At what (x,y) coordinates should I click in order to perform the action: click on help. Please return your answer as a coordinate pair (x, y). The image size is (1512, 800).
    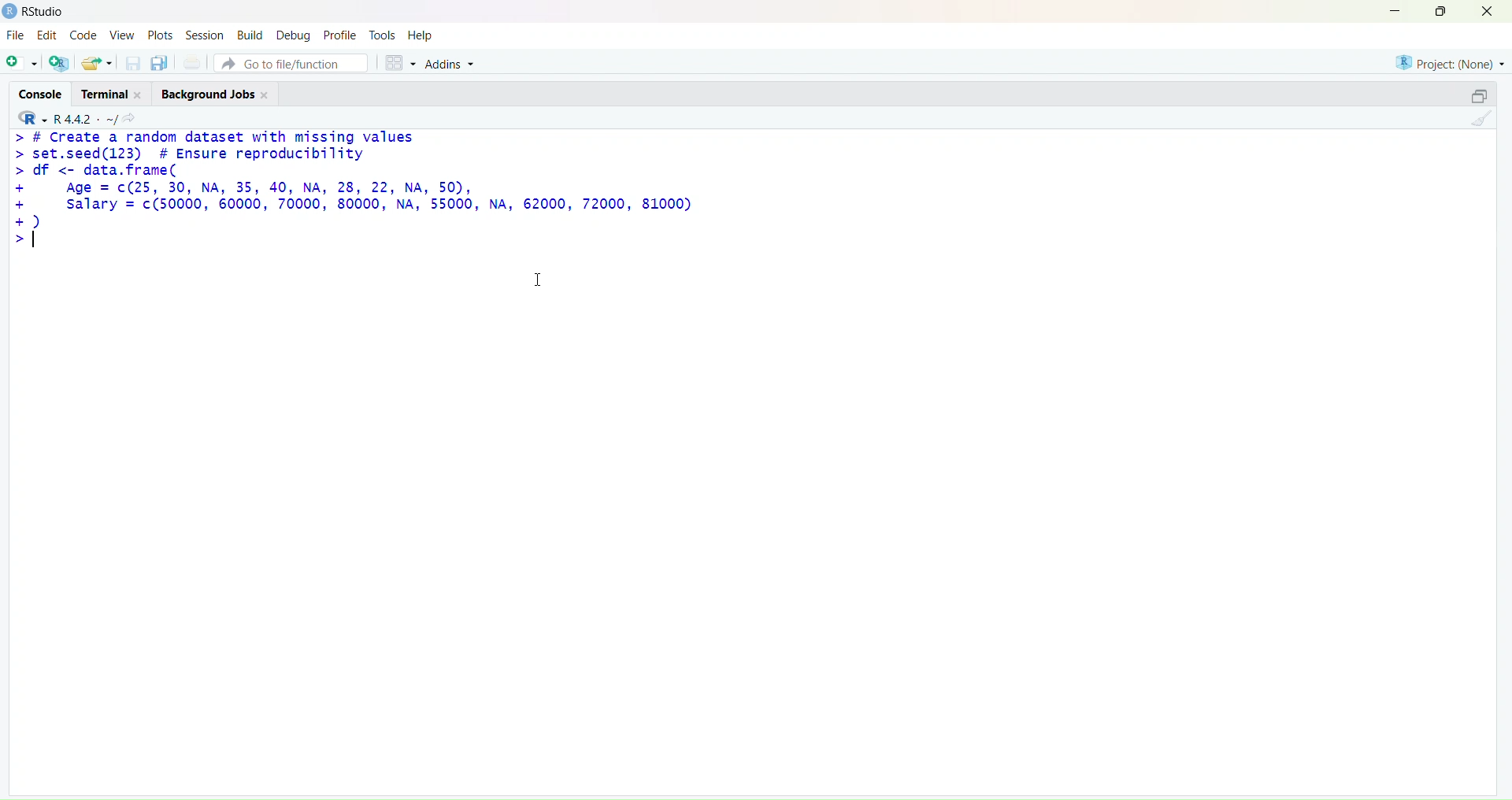
    Looking at the image, I should click on (421, 35).